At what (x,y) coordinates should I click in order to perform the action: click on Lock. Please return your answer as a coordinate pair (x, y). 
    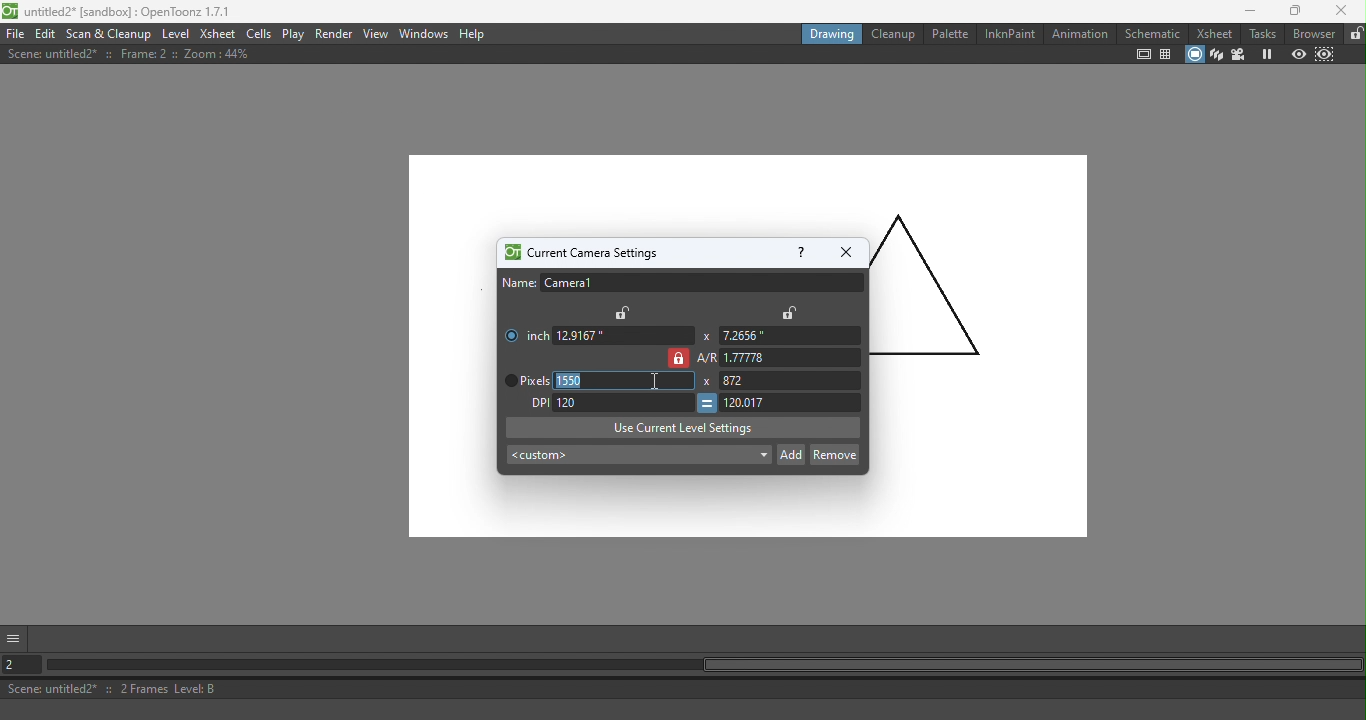
    Looking at the image, I should click on (789, 312).